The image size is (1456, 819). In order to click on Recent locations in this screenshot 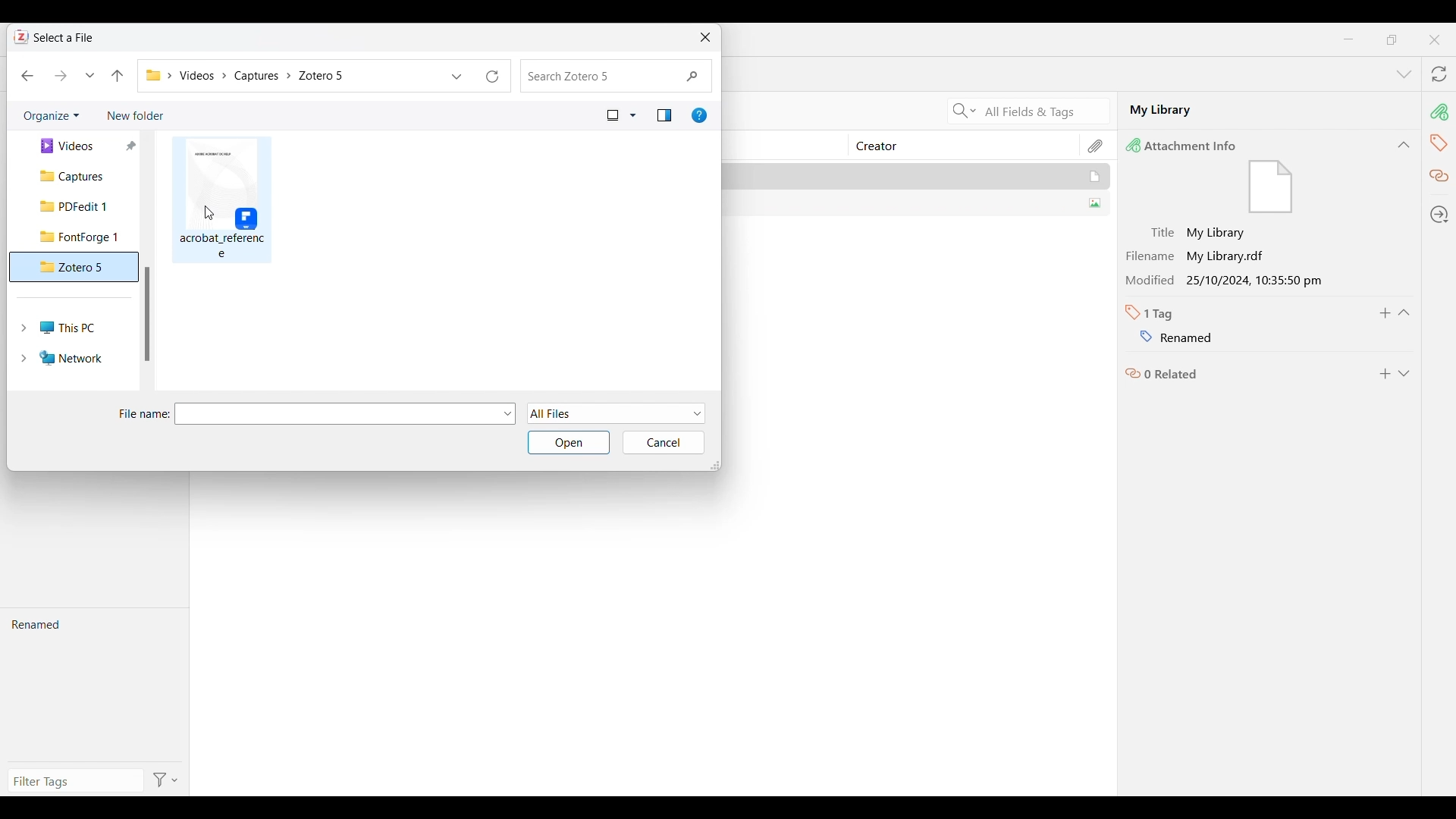, I will do `click(89, 75)`.